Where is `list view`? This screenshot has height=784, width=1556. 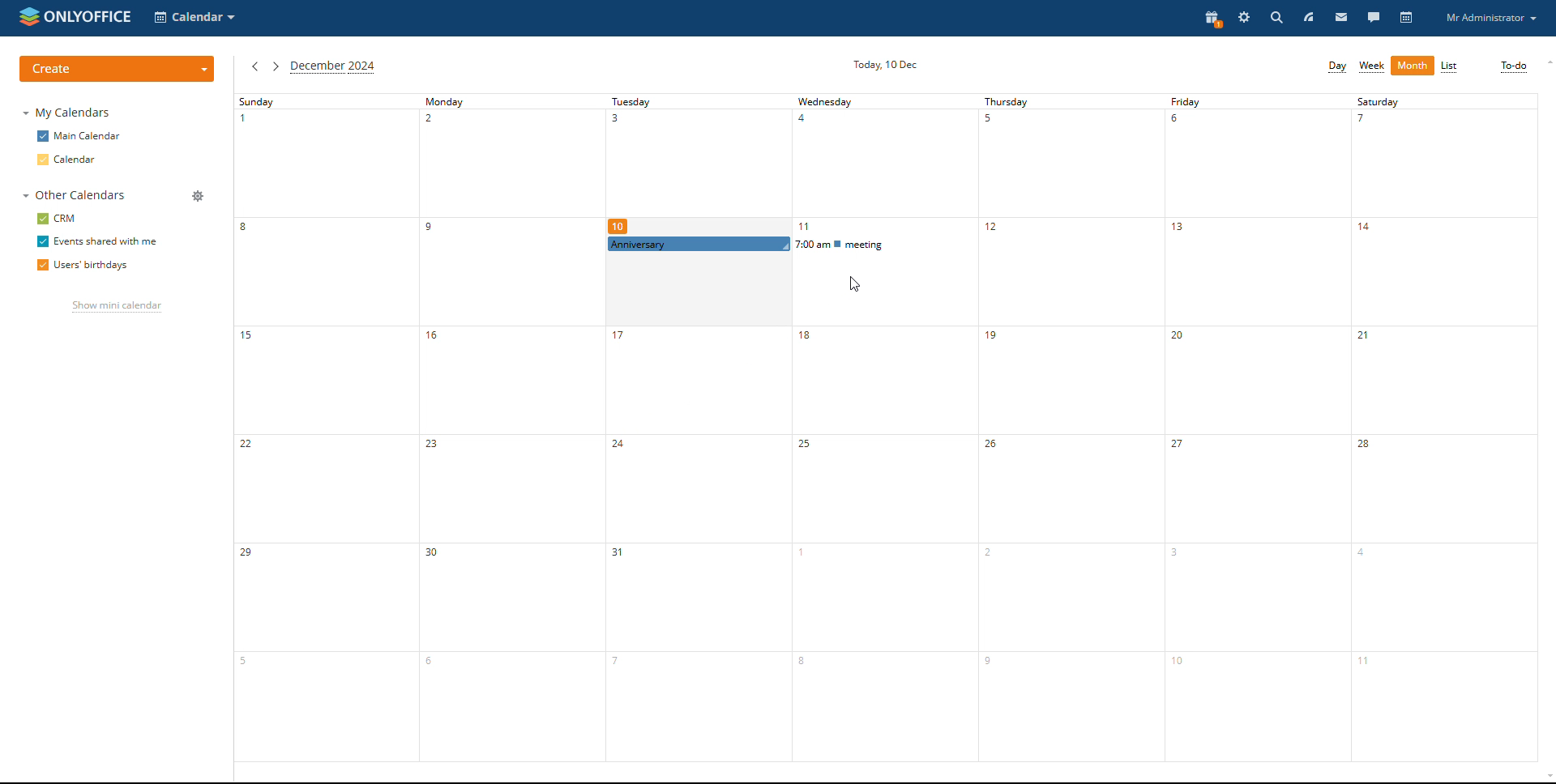
list view is located at coordinates (1450, 66).